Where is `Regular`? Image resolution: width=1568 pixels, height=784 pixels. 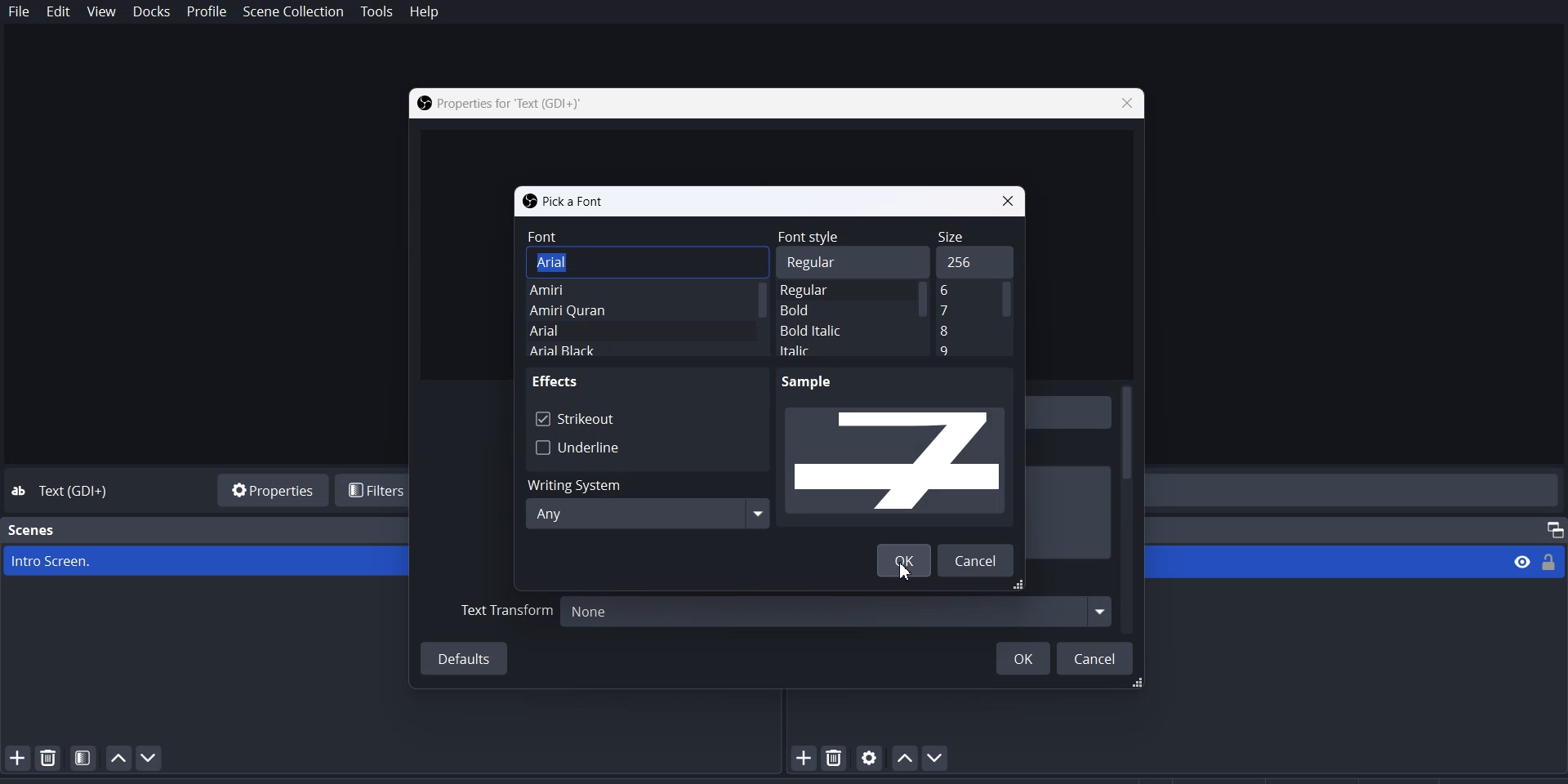
Regular is located at coordinates (840, 261).